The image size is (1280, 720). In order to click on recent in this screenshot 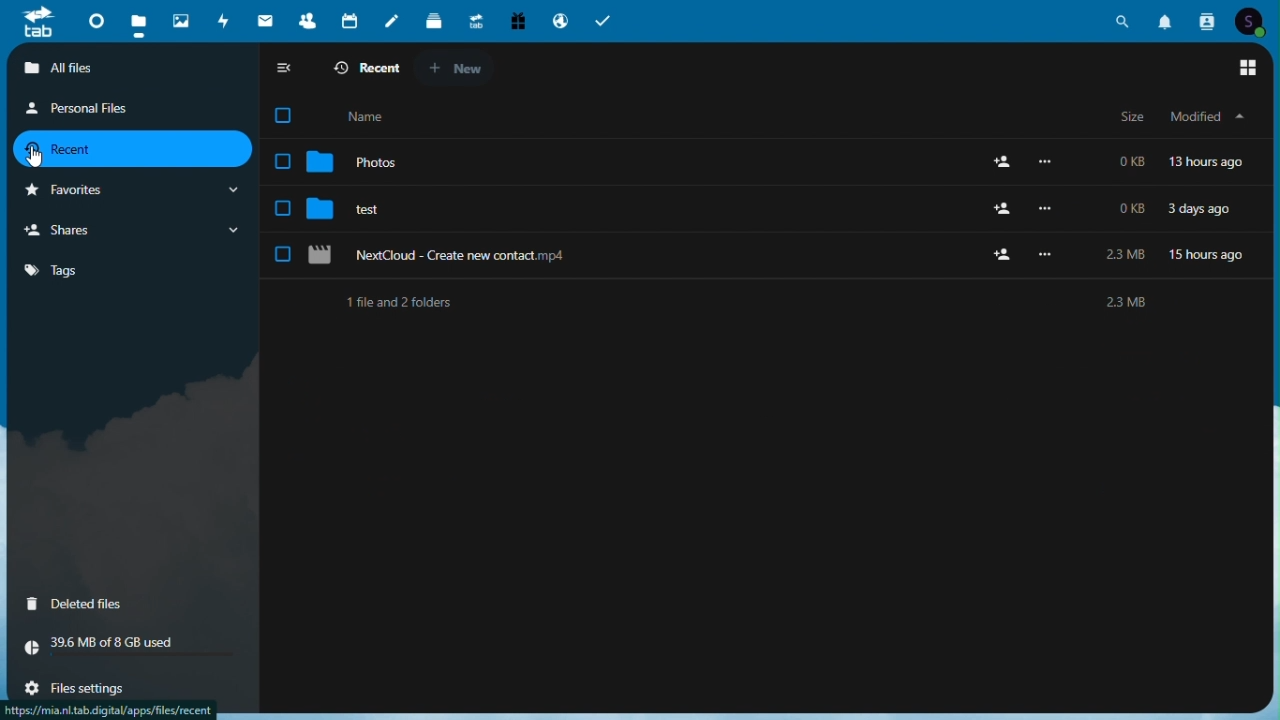, I will do `click(130, 148)`.